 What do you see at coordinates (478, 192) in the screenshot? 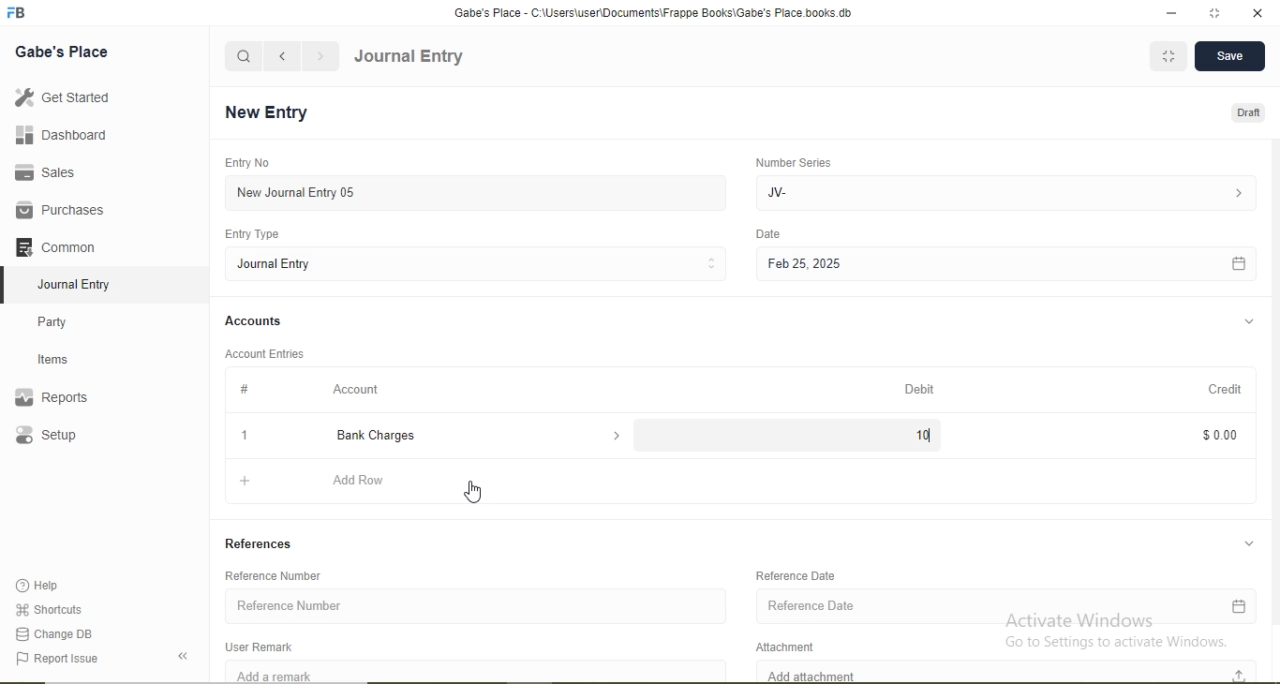
I see `New Journal Entry 05` at bounding box center [478, 192].